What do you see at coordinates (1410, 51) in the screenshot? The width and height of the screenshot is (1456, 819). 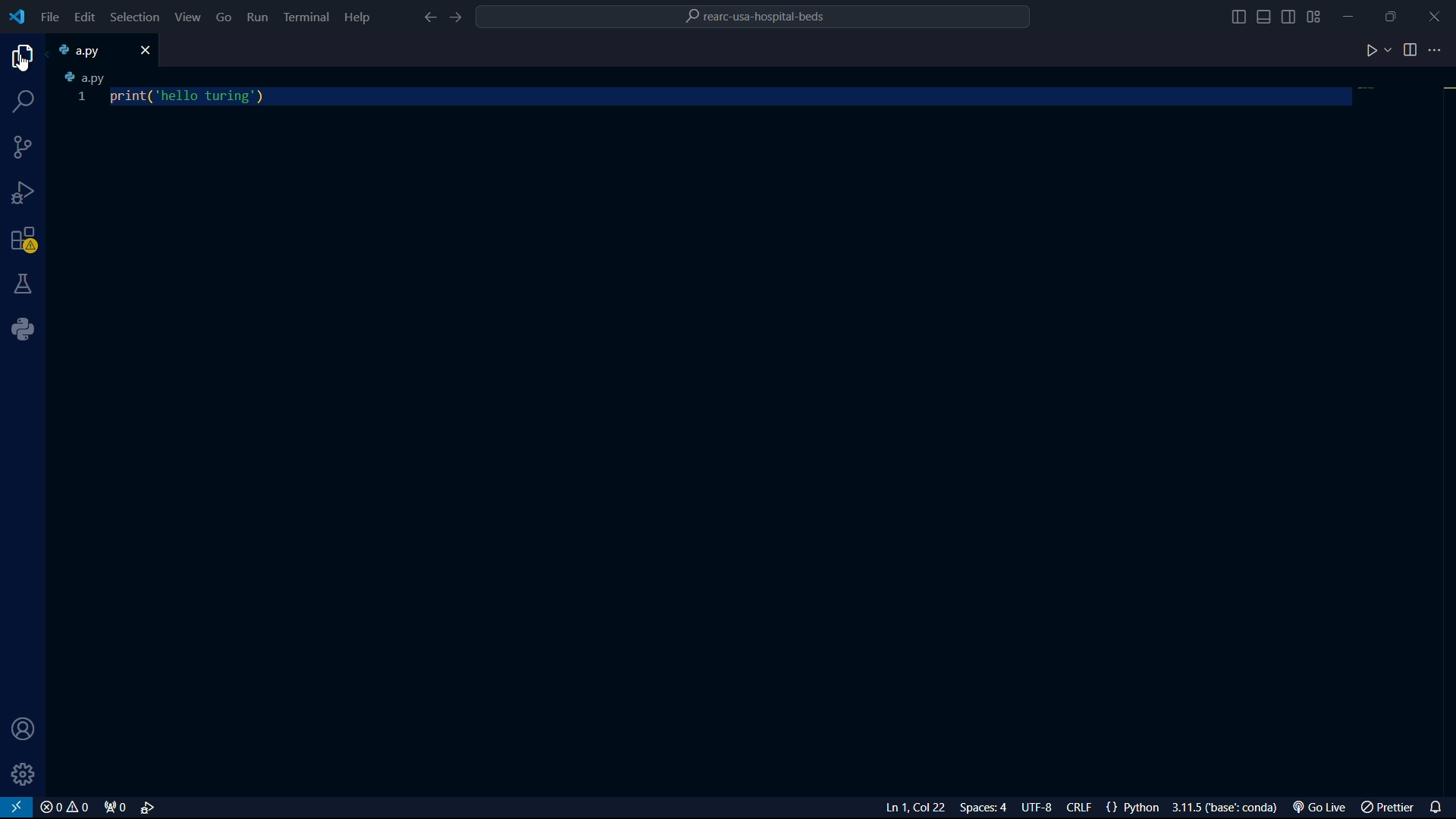 I see `split editor right` at bounding box center [1410, 51].